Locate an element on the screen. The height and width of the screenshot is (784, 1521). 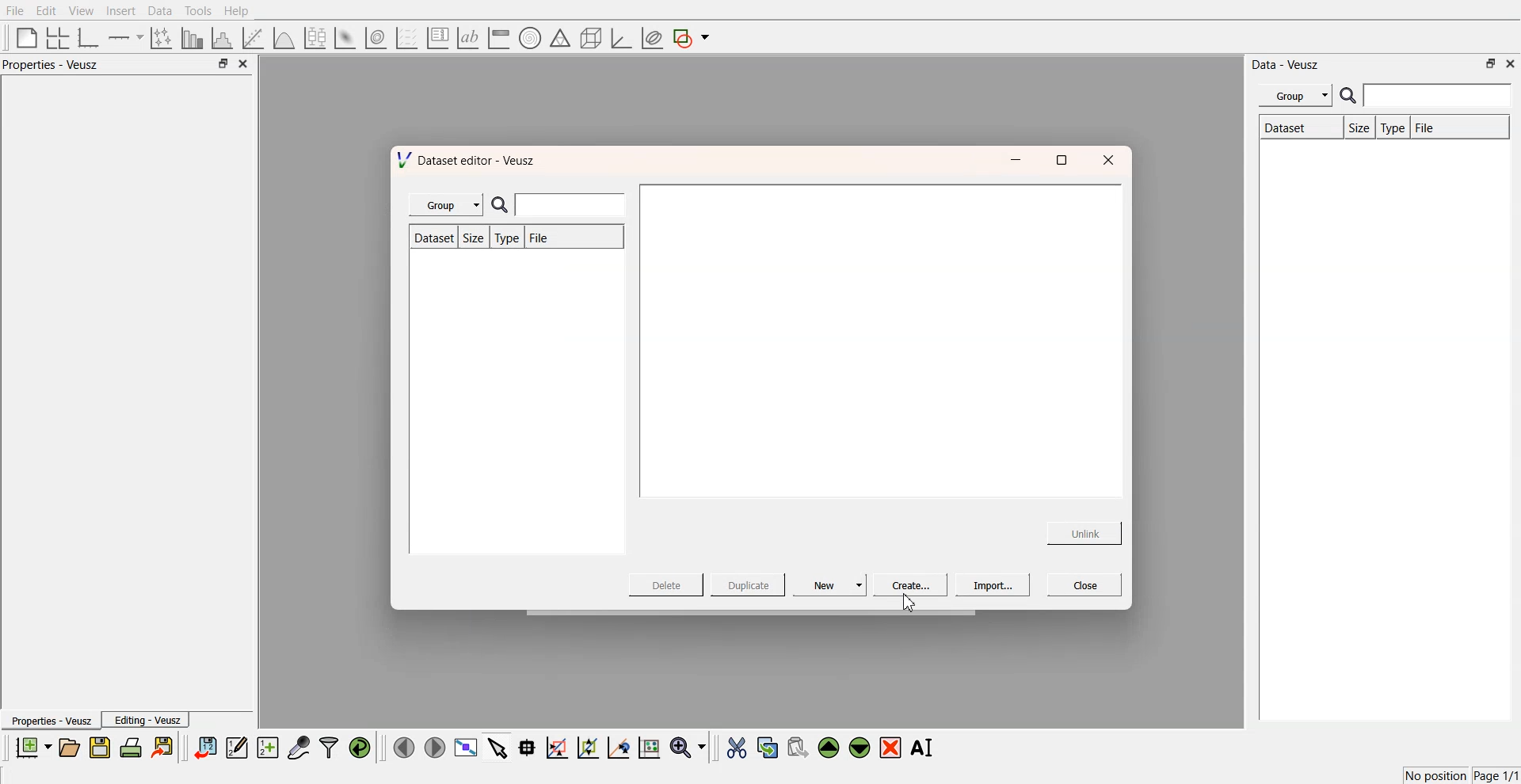
Delete is located at coordinates (668, 584).